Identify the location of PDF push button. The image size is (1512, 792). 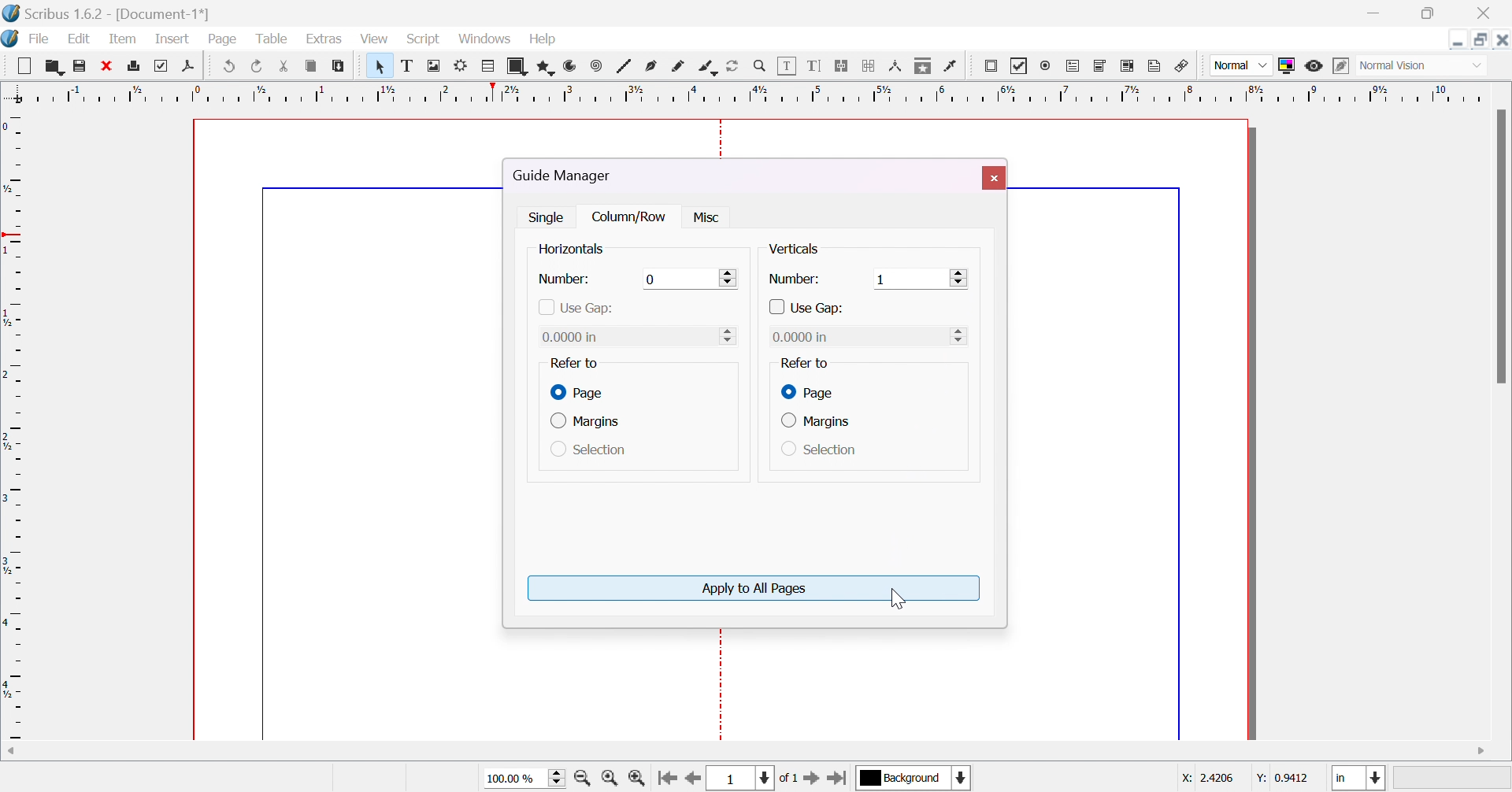
(991, 68).